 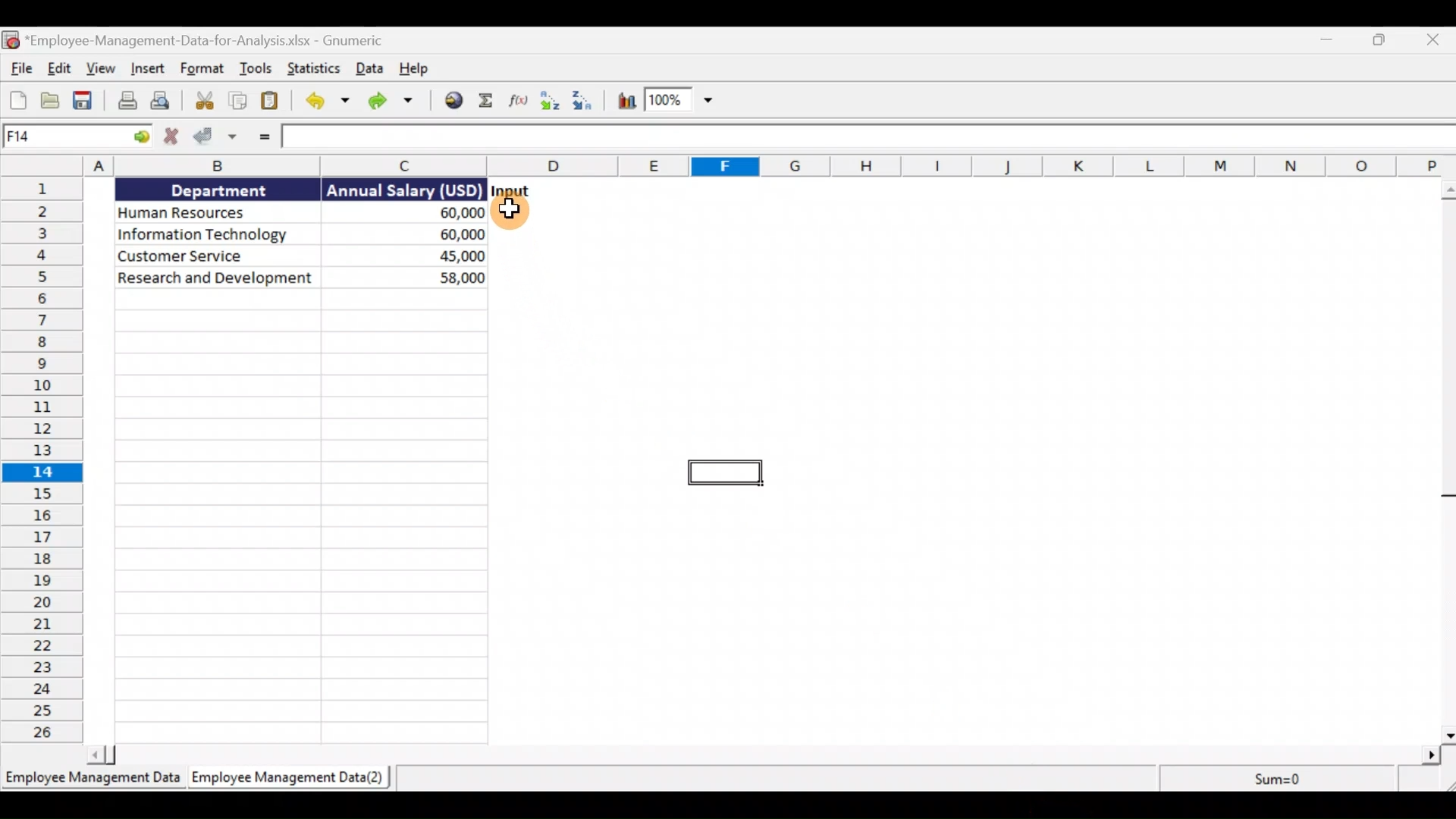 What do you see at coordinates (239, 100) in the screenshot?
I see `Copy the selection` at bounding box center [239, 100].